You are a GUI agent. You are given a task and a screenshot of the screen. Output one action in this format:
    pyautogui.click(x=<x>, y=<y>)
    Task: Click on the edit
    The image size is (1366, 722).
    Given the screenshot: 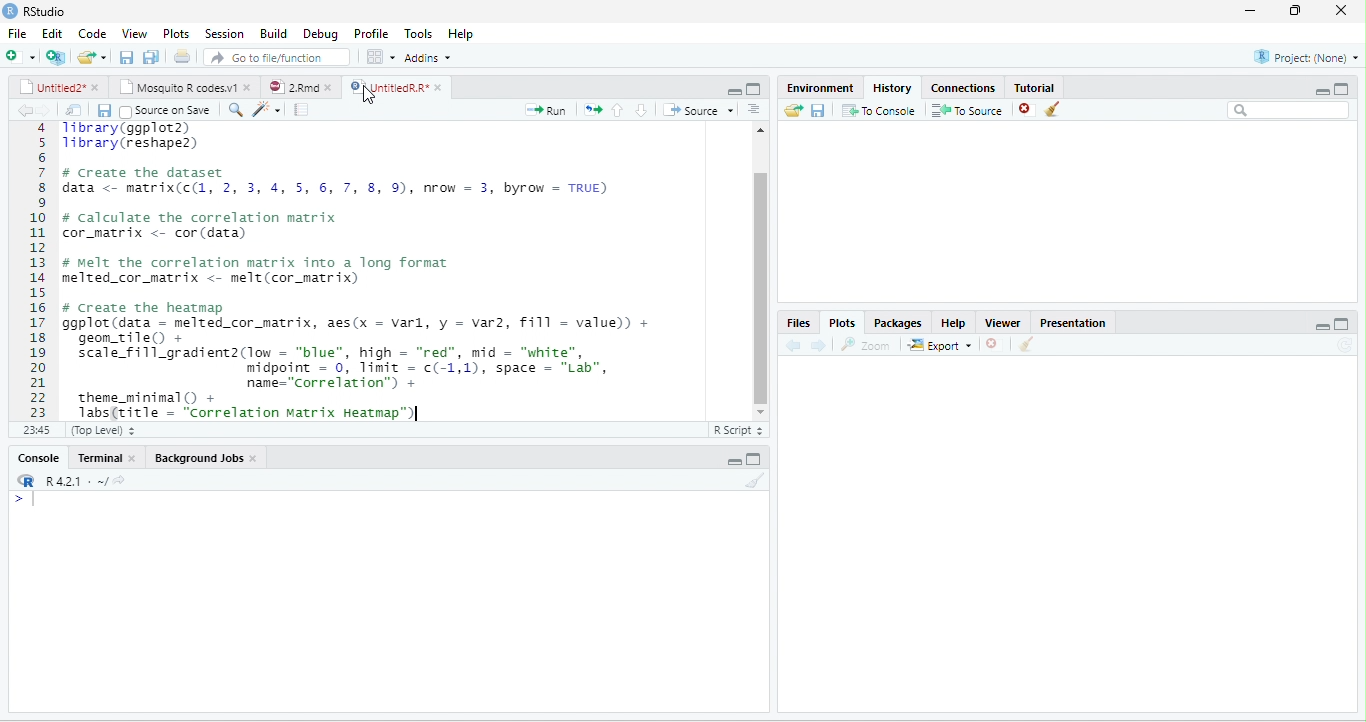 What is the action you would take?
    pyautogui.click(x=52, y=34)
    